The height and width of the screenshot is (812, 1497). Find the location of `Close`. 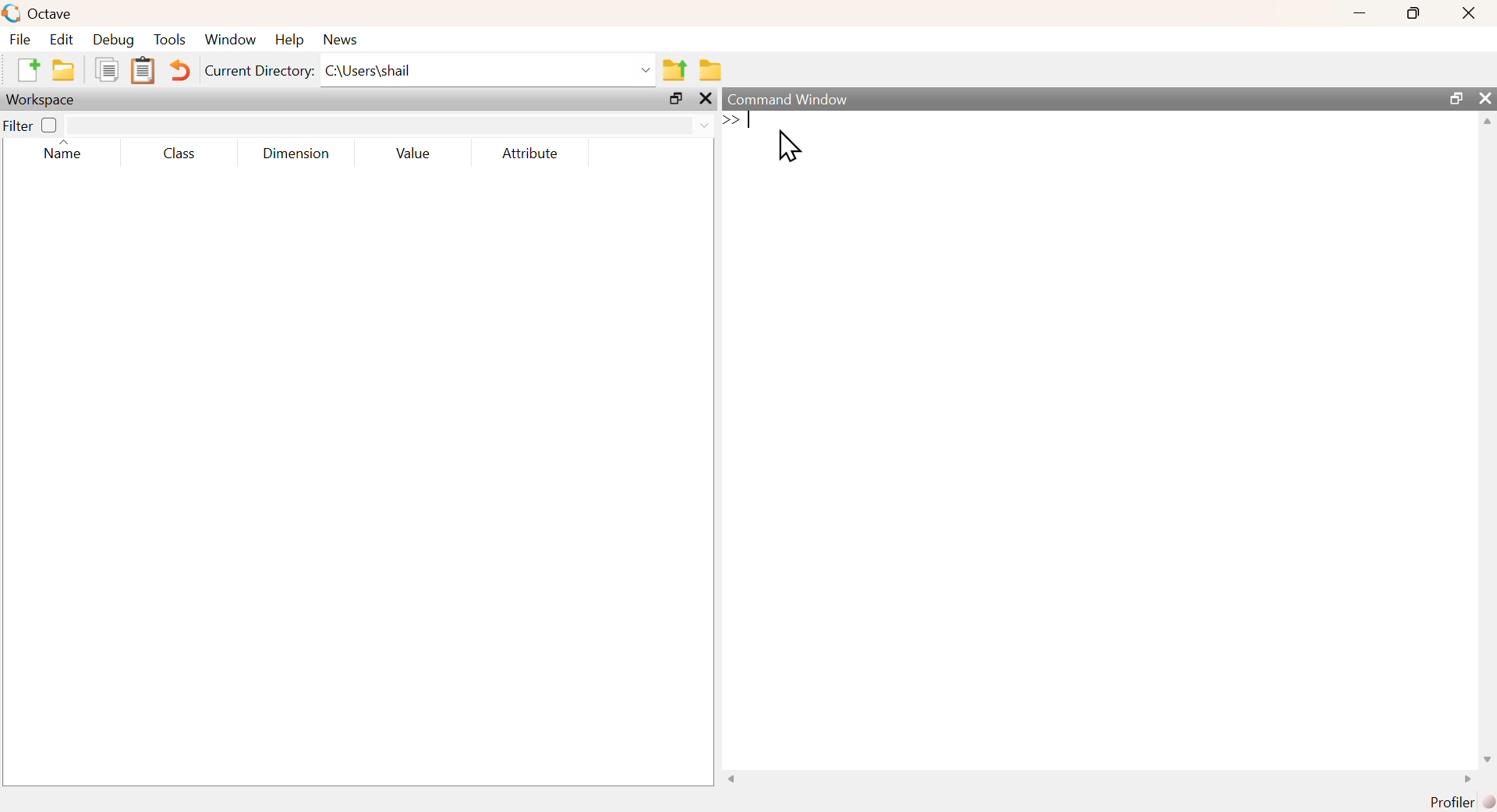

Close is located at coordinates (1468, 13).